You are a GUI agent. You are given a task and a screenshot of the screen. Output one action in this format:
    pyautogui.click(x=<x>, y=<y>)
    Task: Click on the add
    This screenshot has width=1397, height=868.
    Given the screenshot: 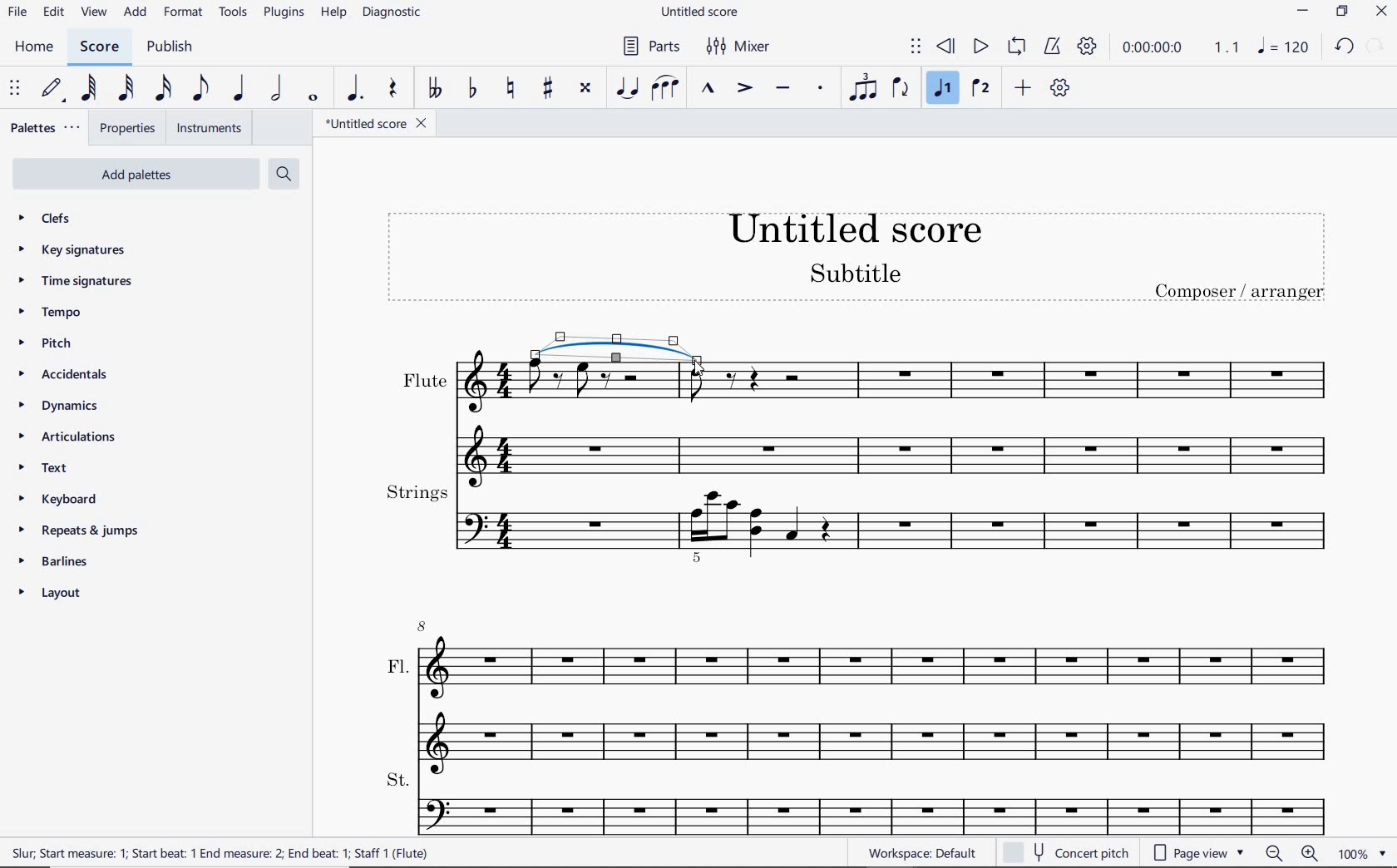 What is the action you would take?
    pyautogui.click(x=136, y=14)
    